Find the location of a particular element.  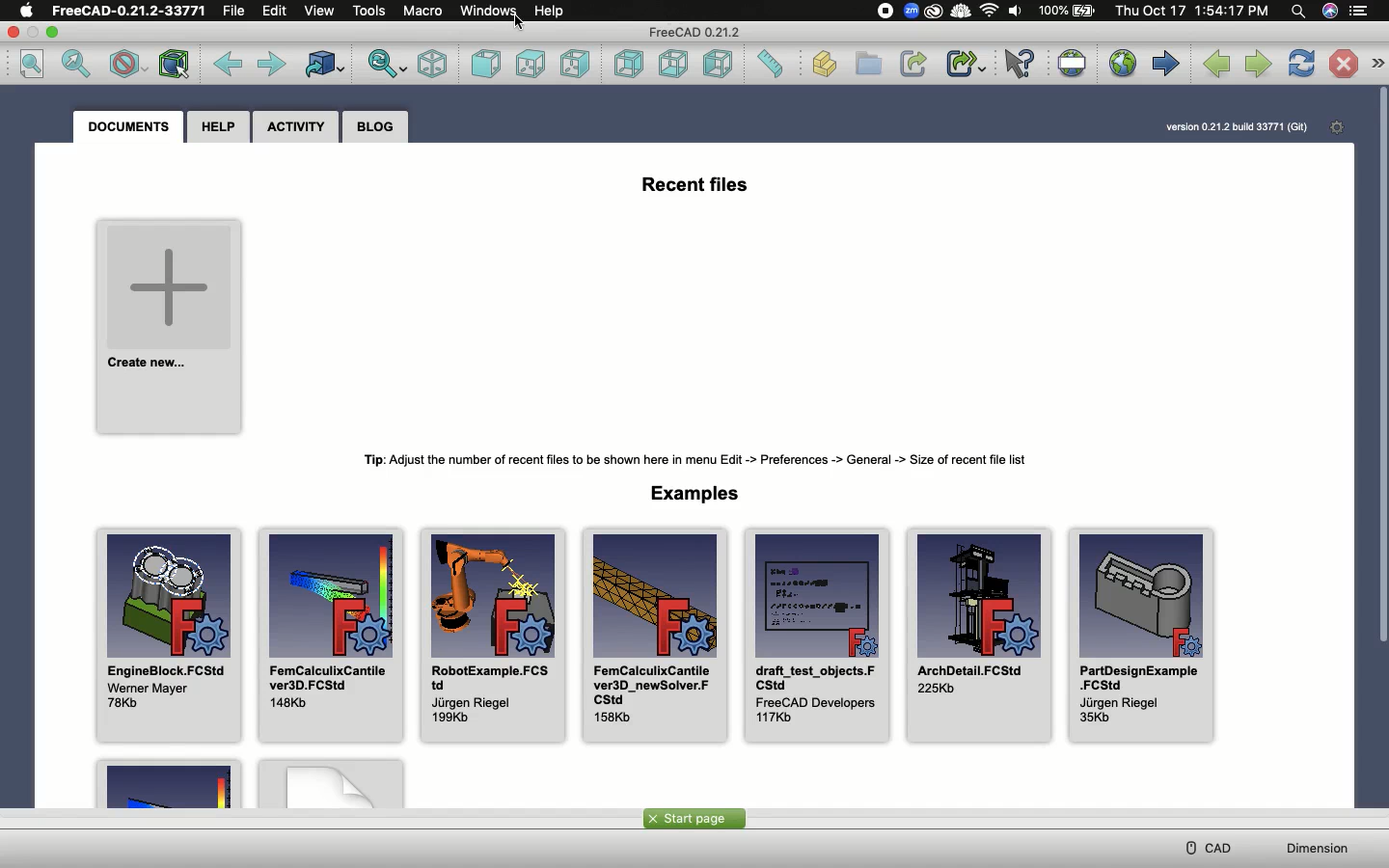

Set URL is located at coordinates (1071, 64).